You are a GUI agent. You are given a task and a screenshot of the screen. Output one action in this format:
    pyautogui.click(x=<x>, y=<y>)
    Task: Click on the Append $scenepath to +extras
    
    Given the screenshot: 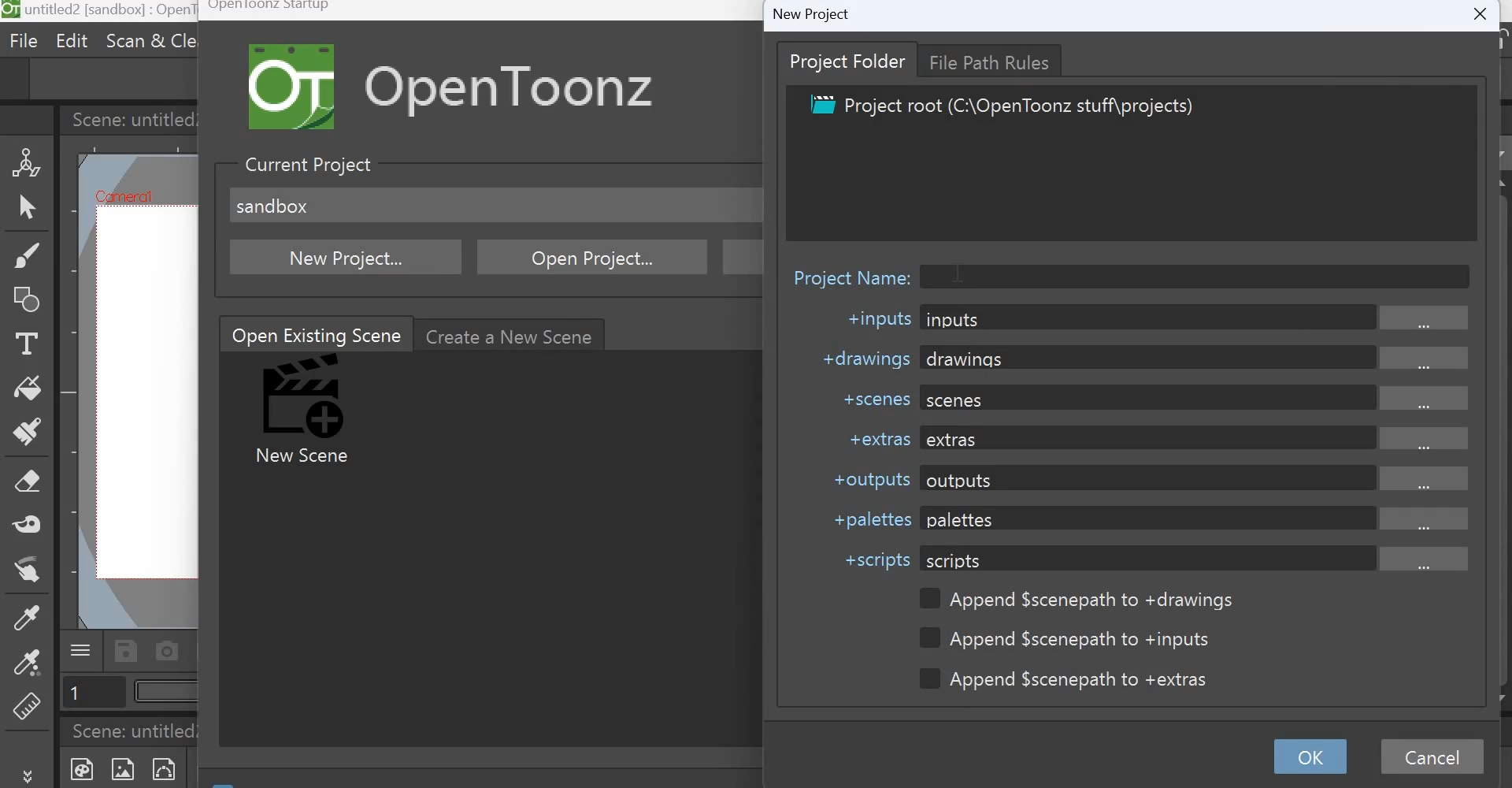 What is the action you would take?
    pyautogui.click(x=1072, y=678)
    